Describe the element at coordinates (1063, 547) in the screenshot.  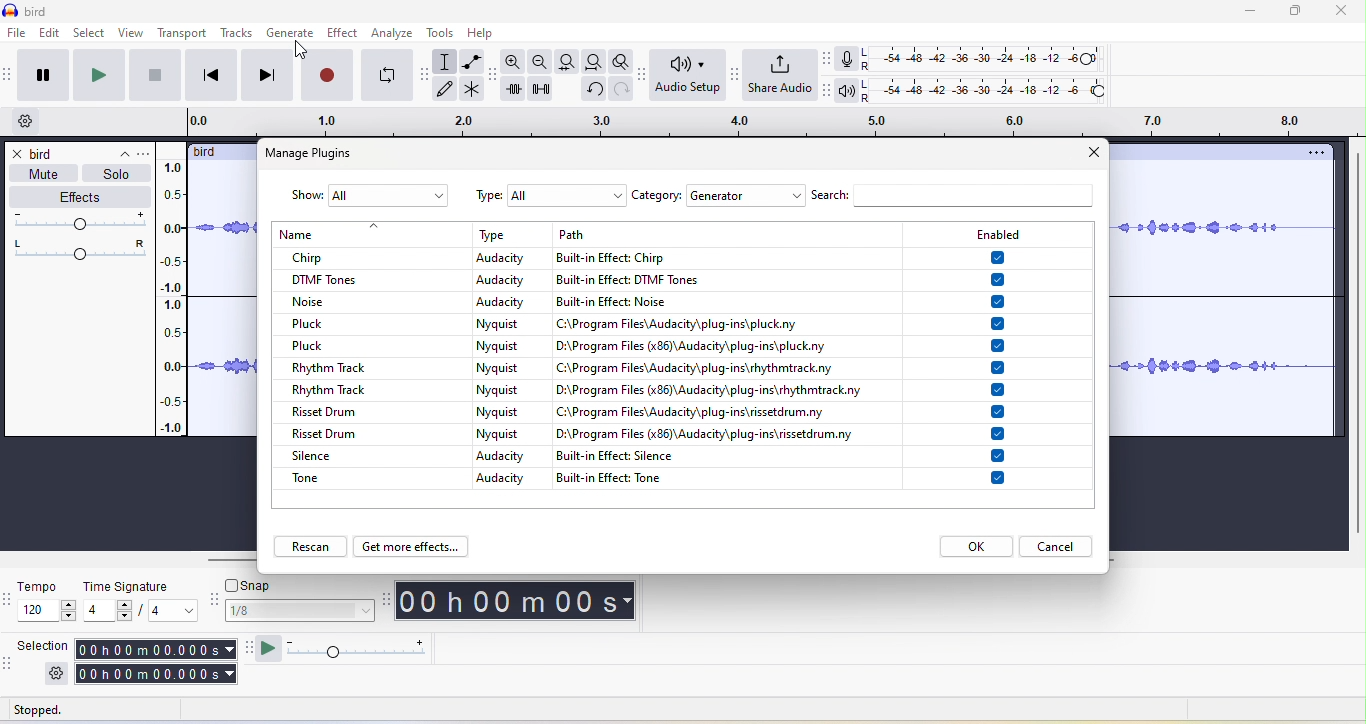
I see `cancel` at that location.